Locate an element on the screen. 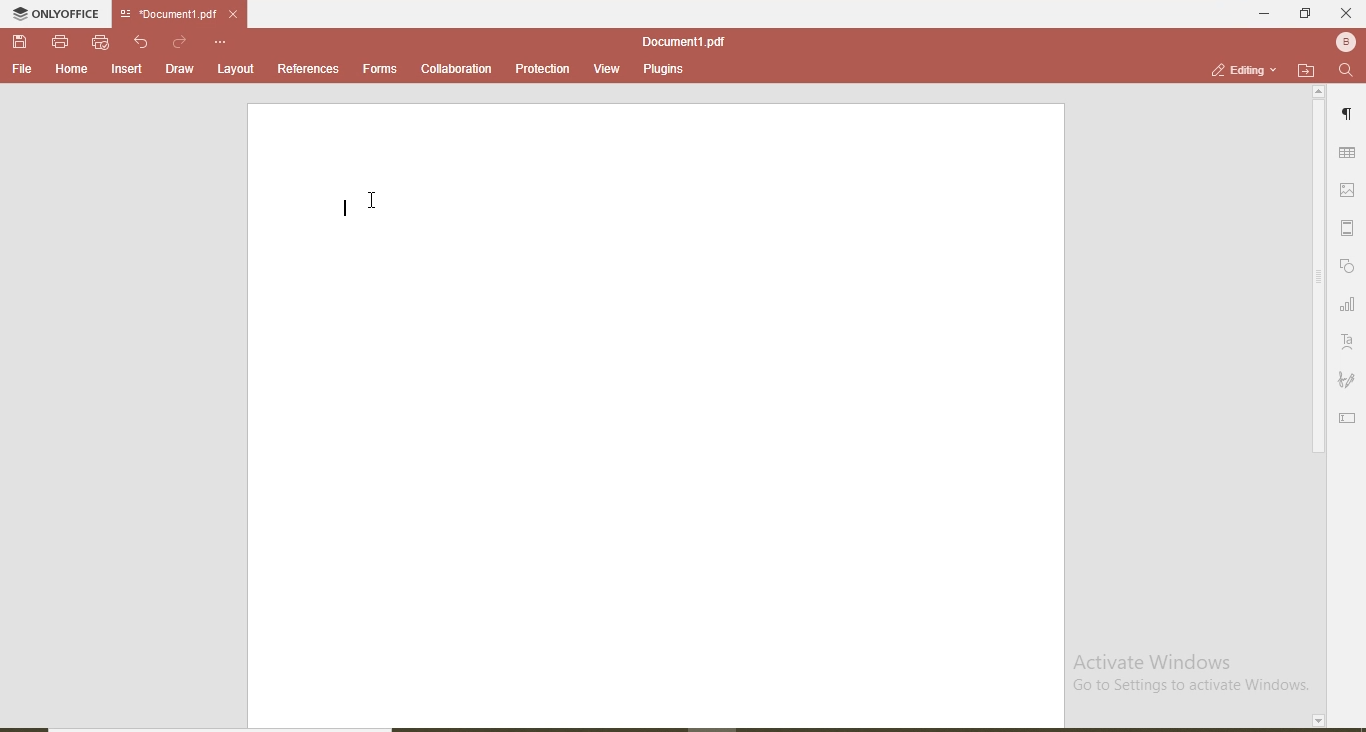  insert is located at coordinates (128, 70).